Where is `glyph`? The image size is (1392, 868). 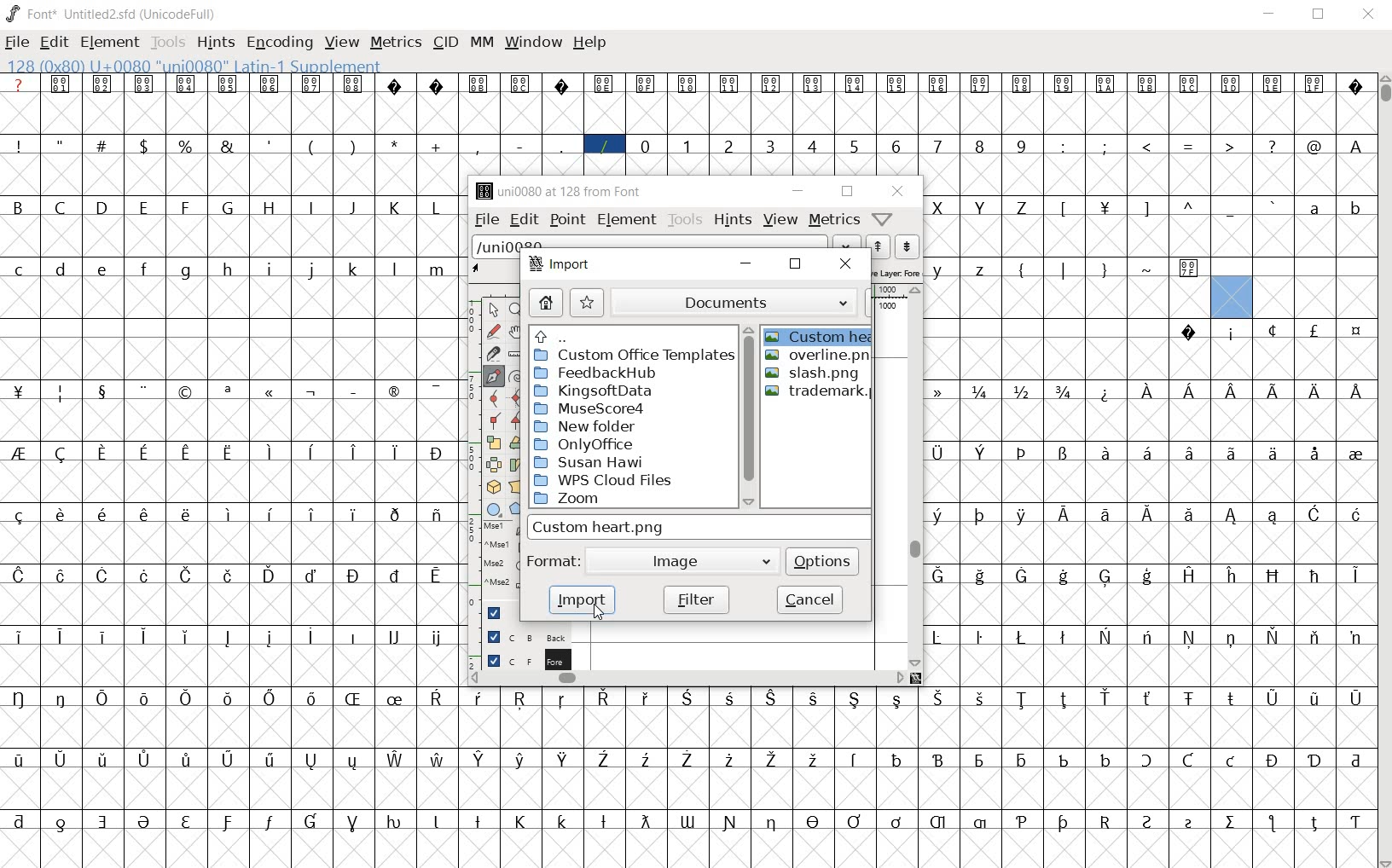 glyph is located at coordinates (1147, 146).